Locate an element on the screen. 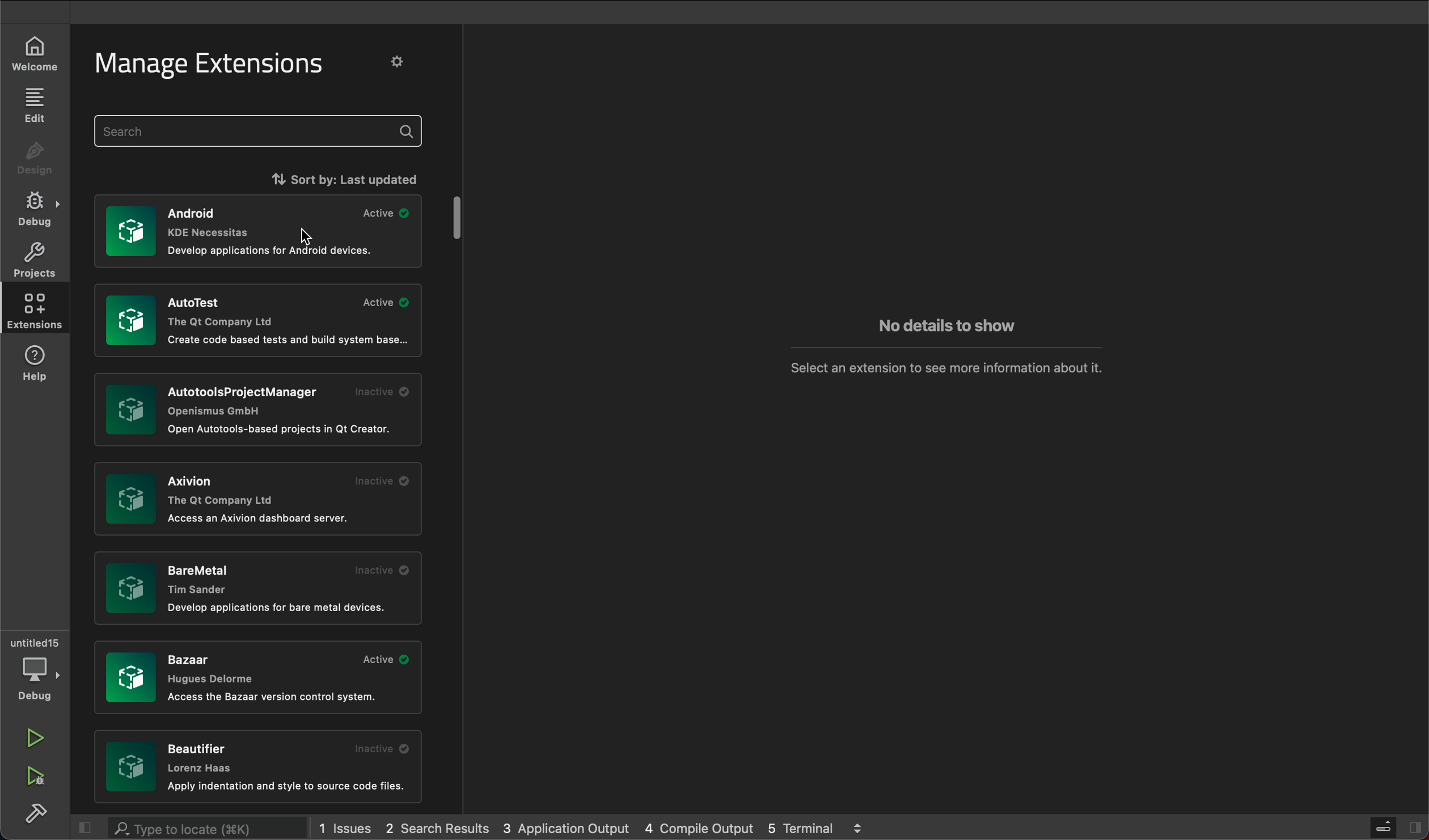  sort is located at coordinates (299, 177).